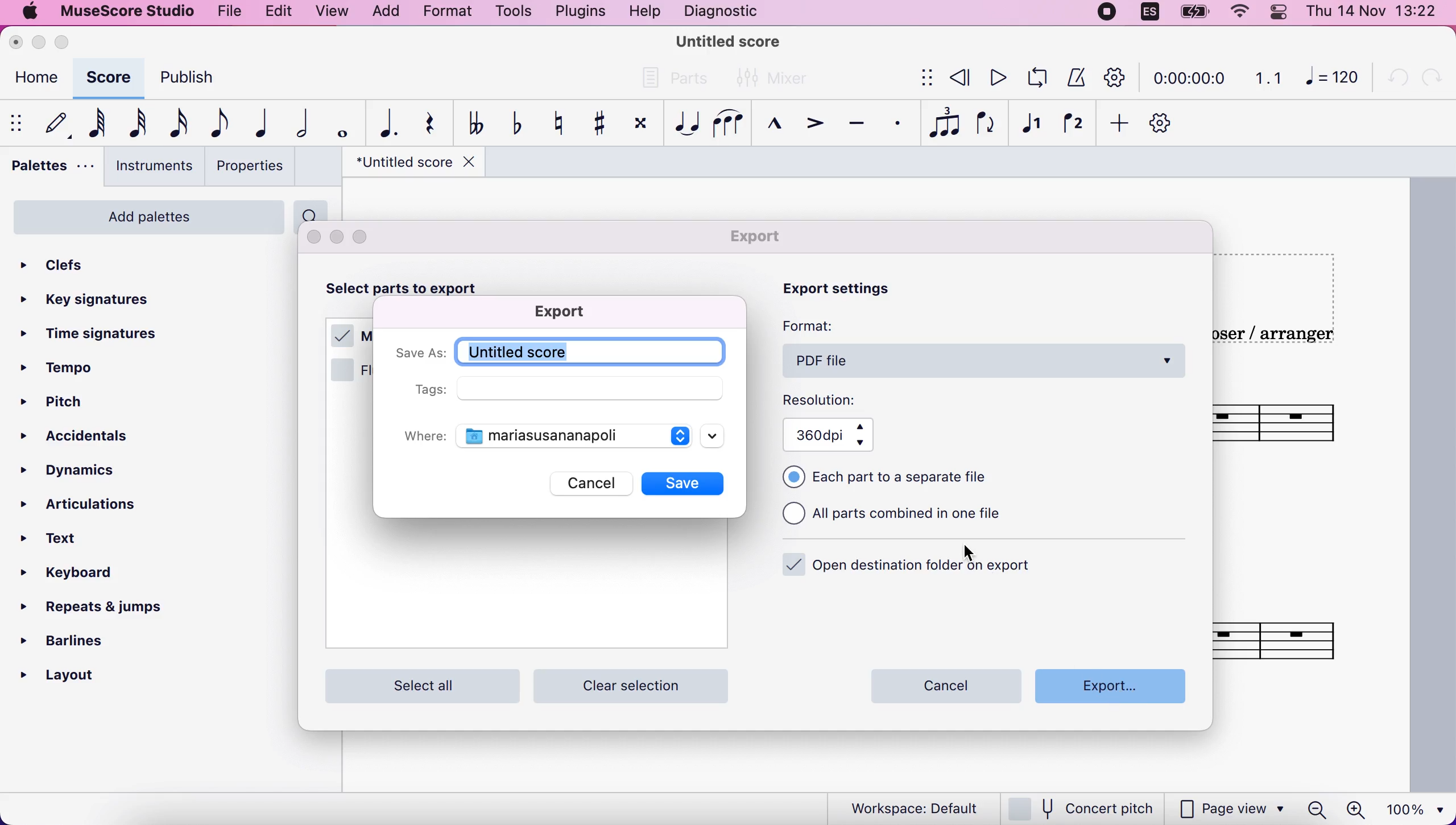  I want to click on export, so click(766, 237).